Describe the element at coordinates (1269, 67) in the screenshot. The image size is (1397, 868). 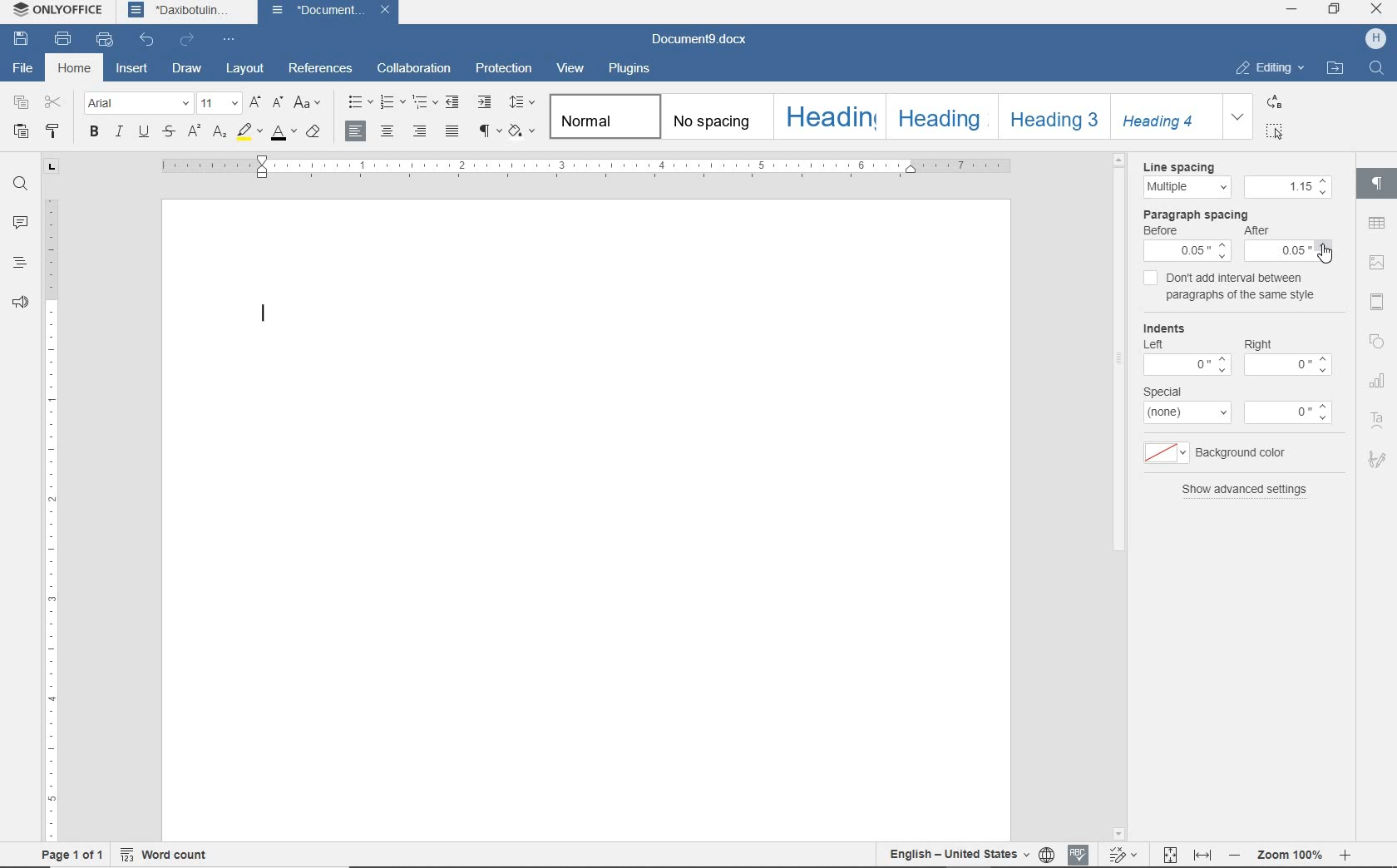
I see `EDITING` at that location.